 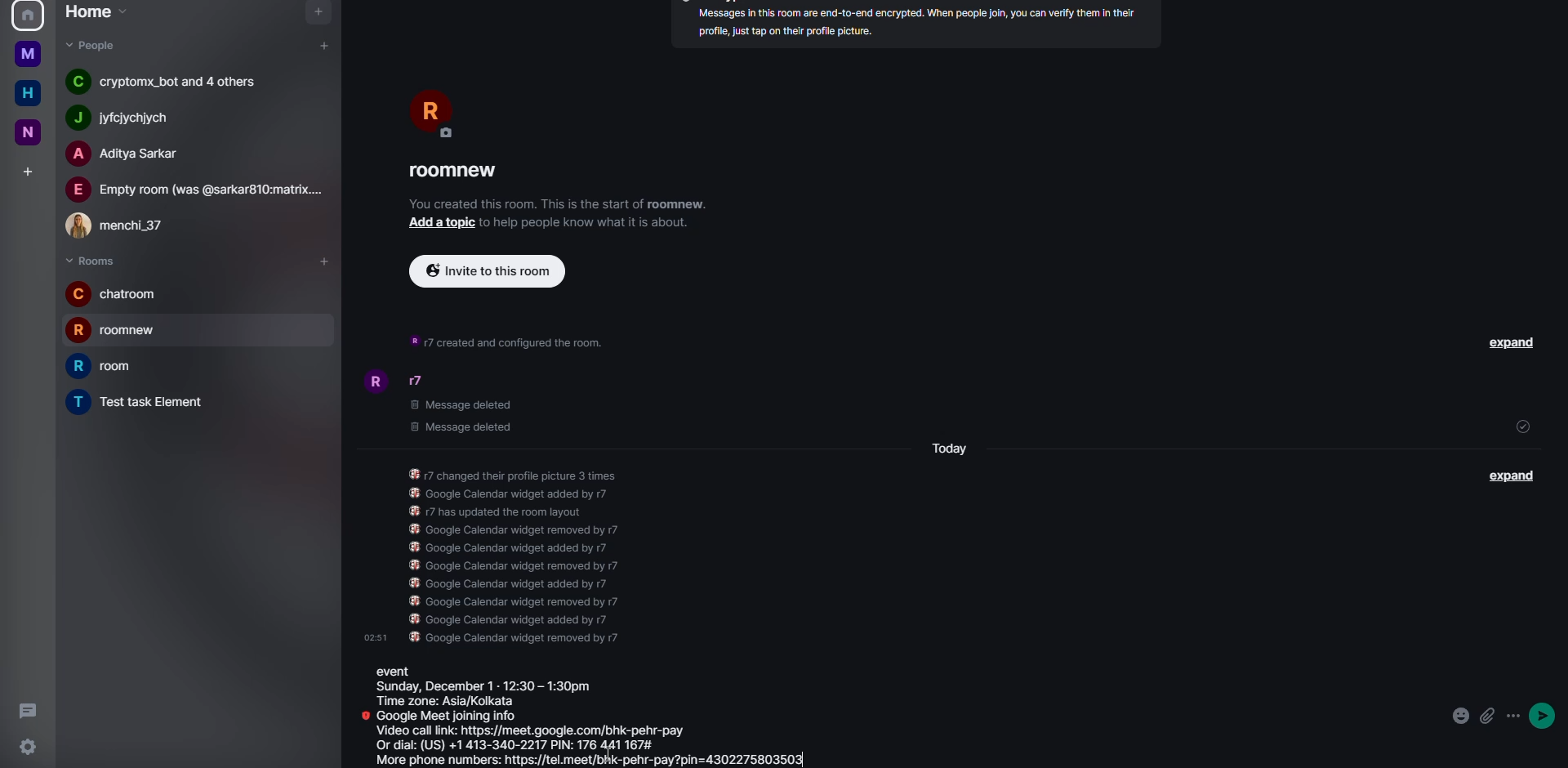 I want to click on threads, so click(x=30, y=711).